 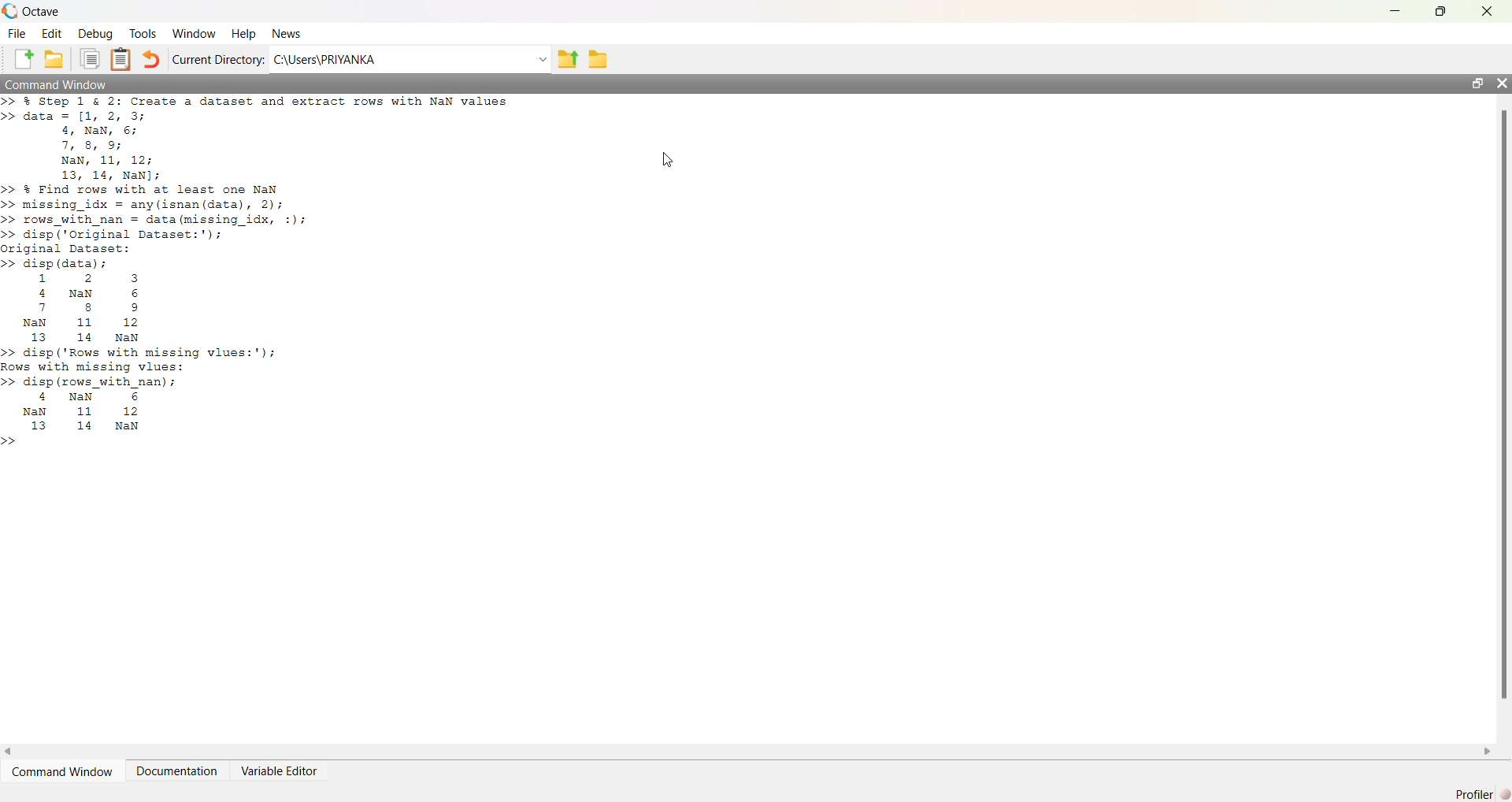 I want to click on Command Window, so click(x=57, y=84).